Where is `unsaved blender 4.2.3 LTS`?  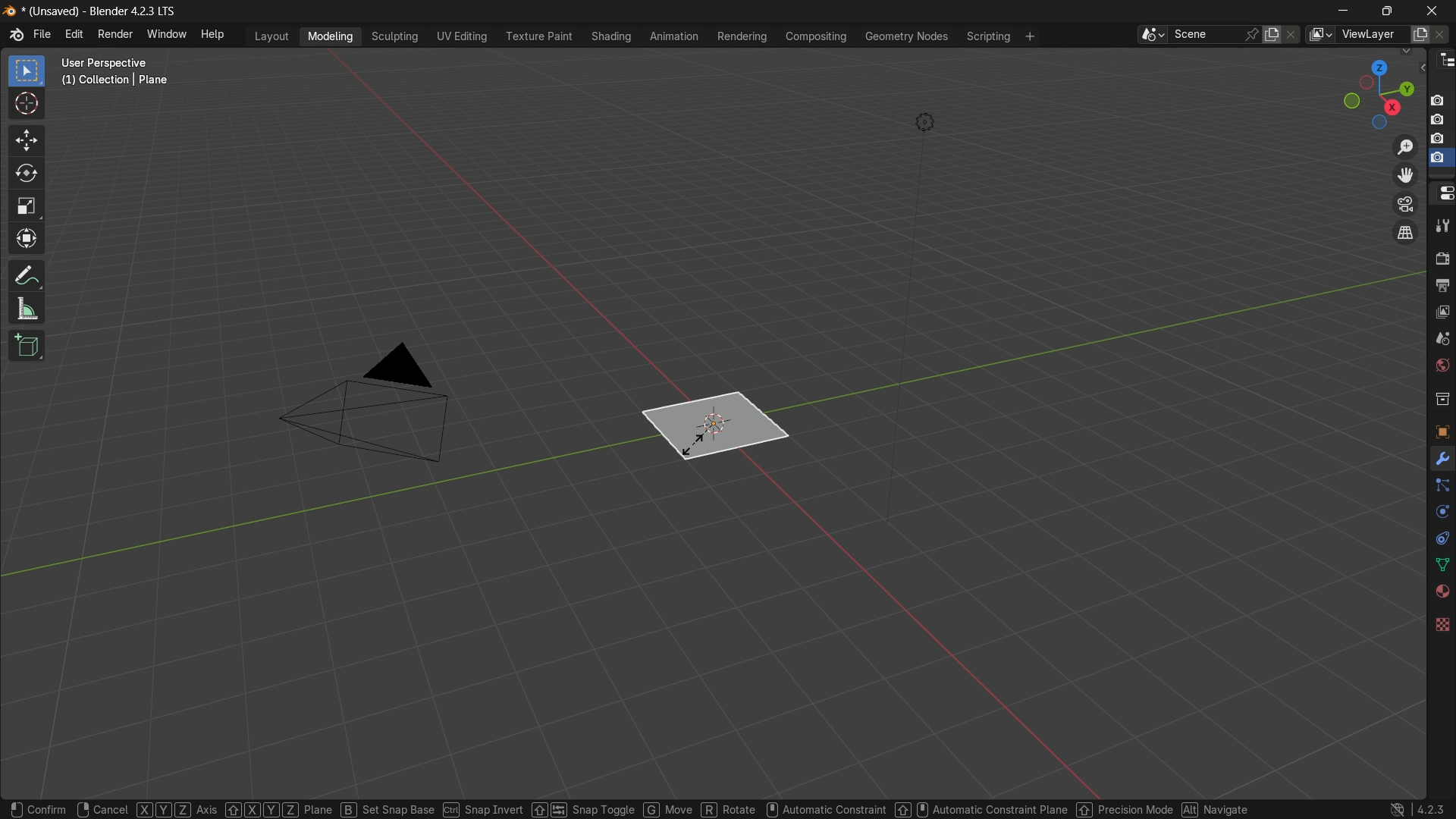 unsaved blender 4.2.3 LTS is located at coordinates (95, 11).